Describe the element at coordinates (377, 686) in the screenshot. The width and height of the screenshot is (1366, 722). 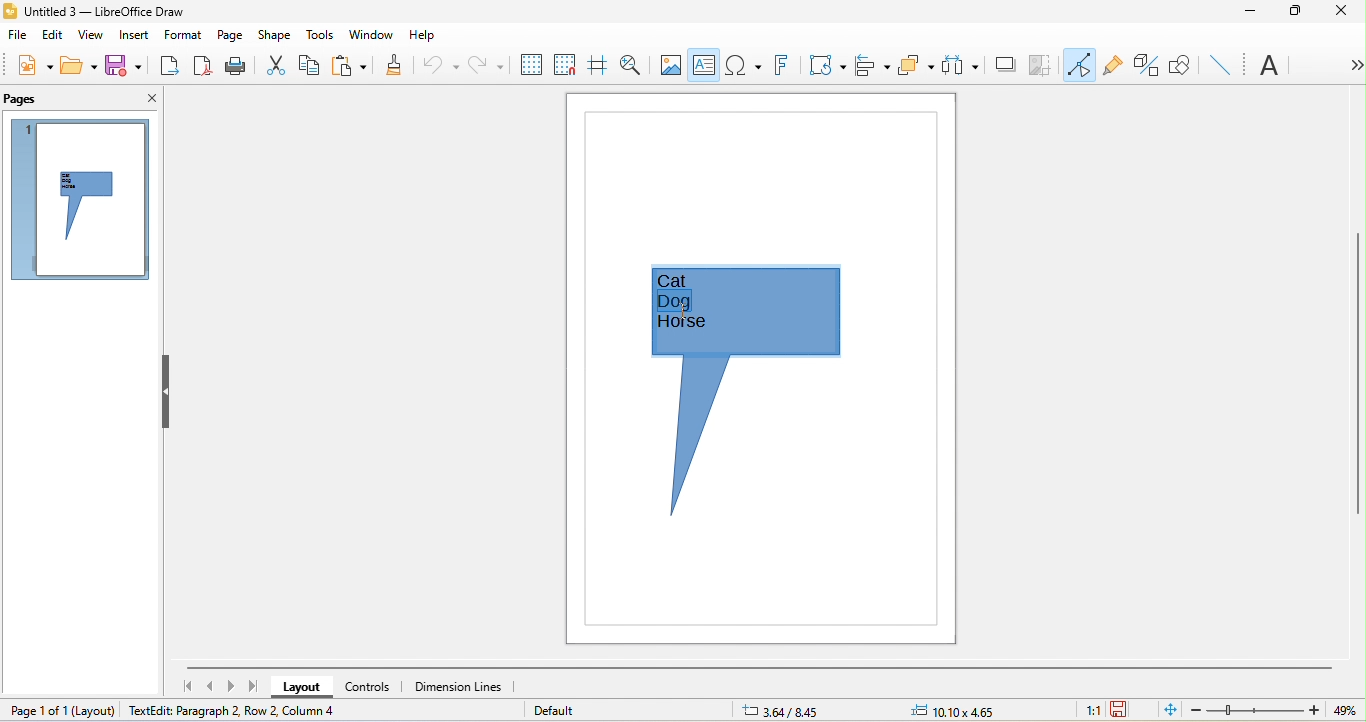
I see `controls` at that location.